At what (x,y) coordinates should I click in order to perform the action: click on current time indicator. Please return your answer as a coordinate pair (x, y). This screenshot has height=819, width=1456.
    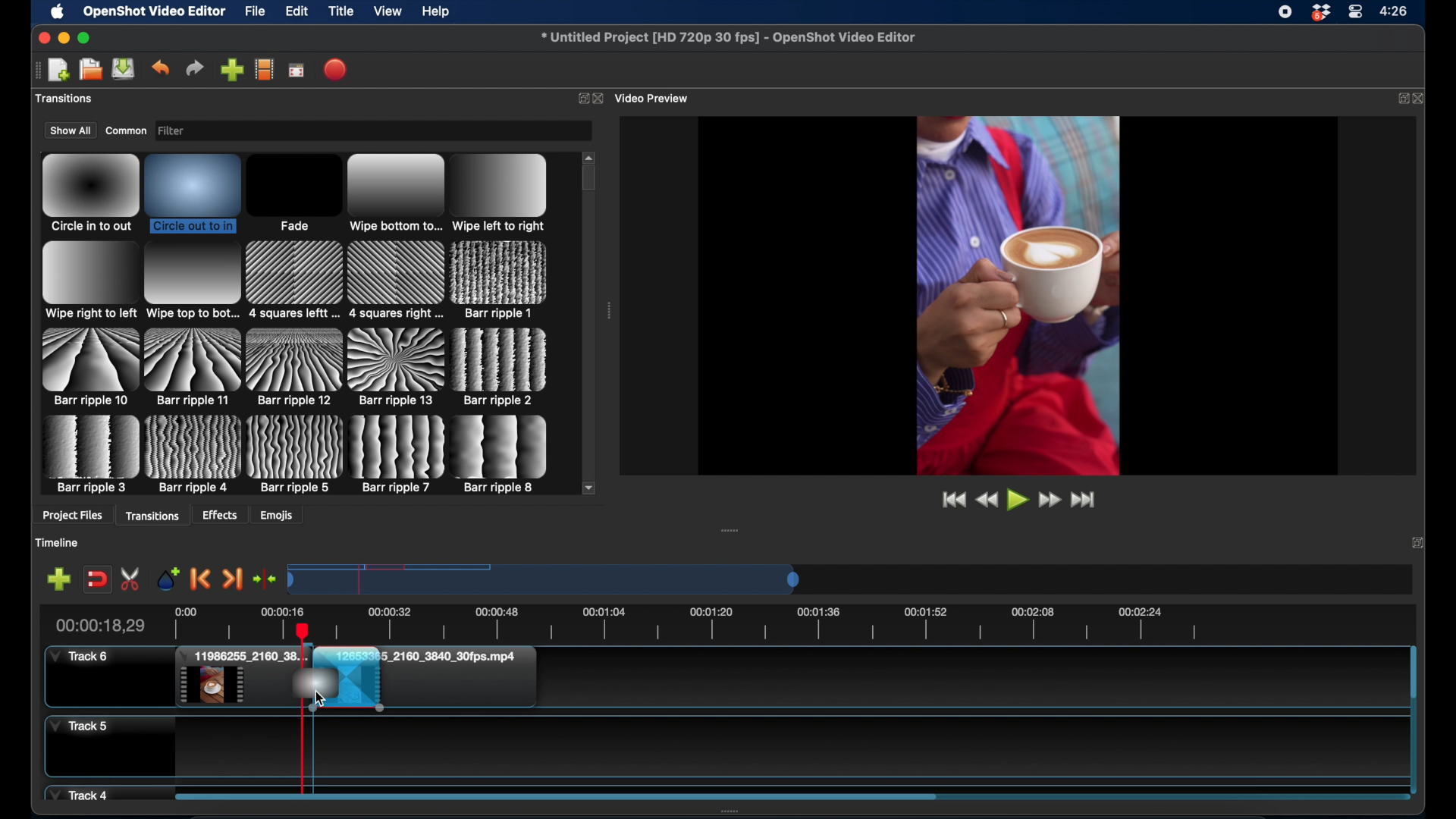
    Looking at the image, I should click on (99, 625).